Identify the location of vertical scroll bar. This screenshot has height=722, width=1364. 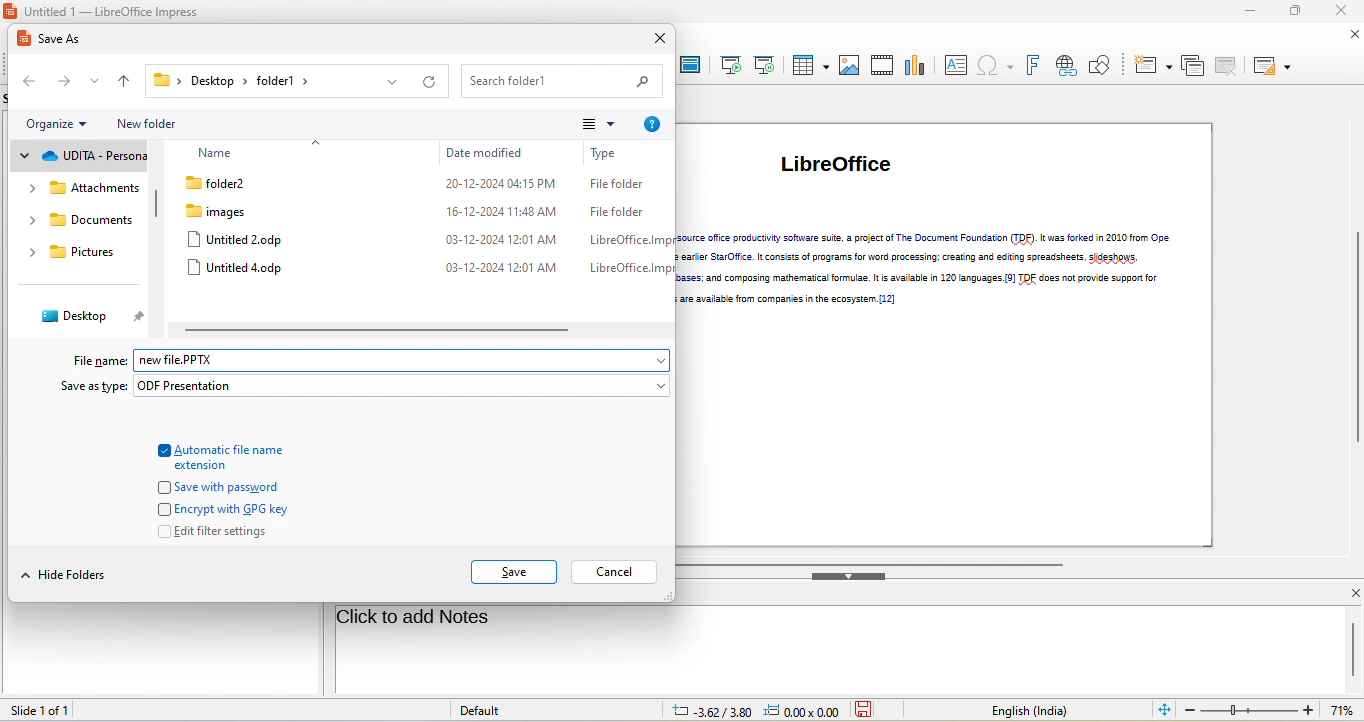
(1353, 649).